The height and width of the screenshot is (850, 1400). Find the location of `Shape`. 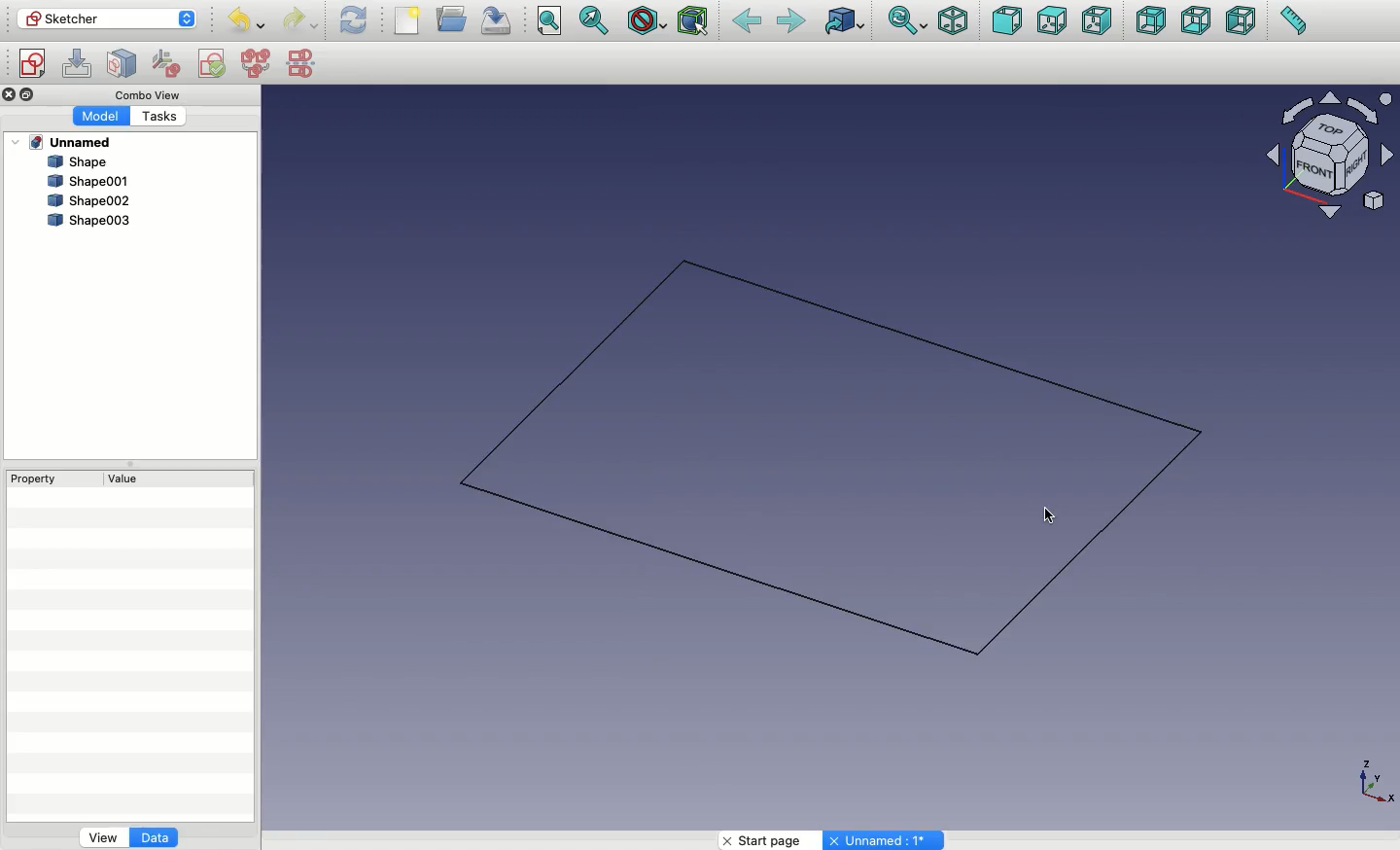

Shape is located at coordinates (845, 461).